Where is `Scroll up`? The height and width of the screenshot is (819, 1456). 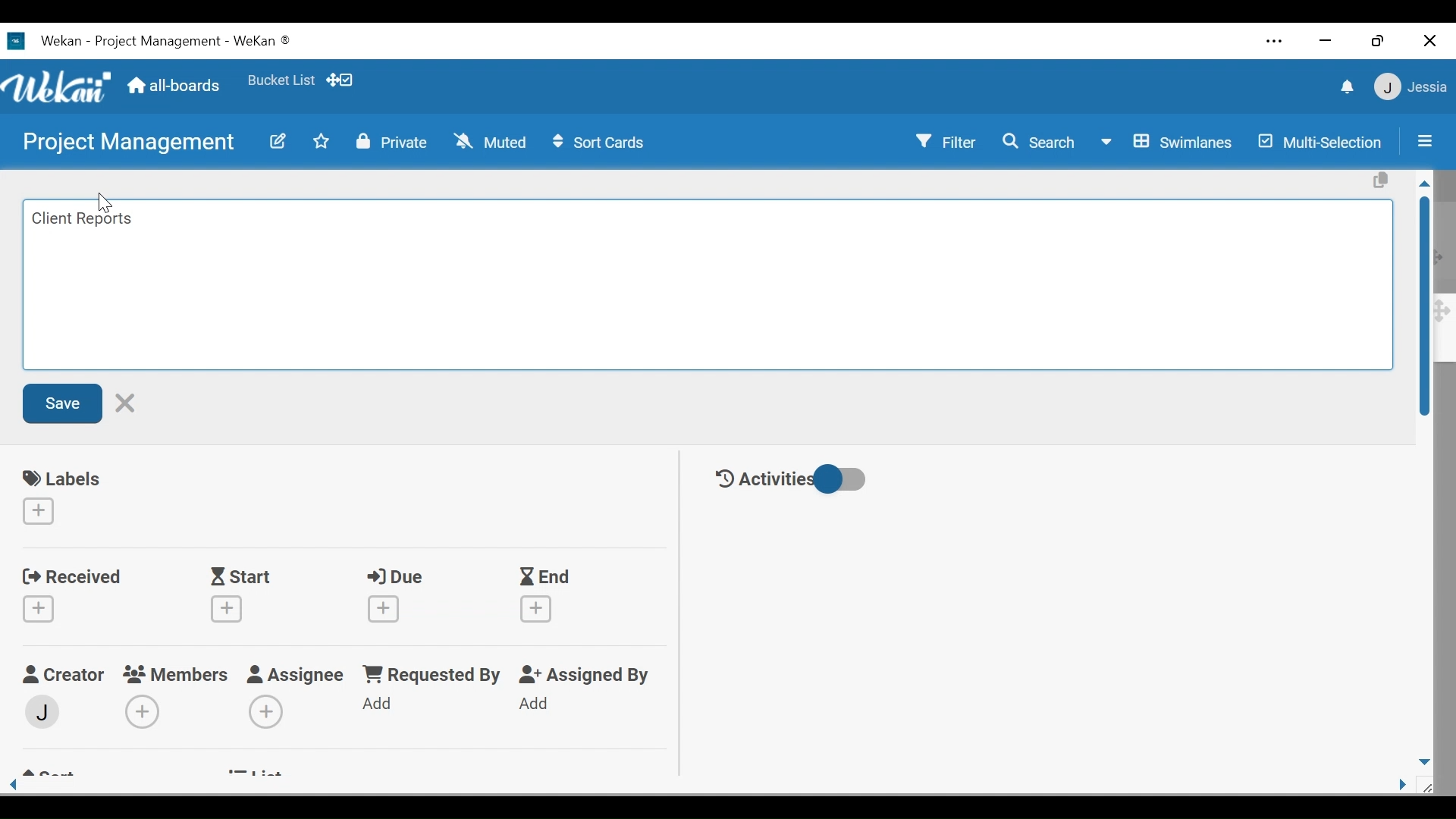
Scroll up is located at coordinates (1423, 184).